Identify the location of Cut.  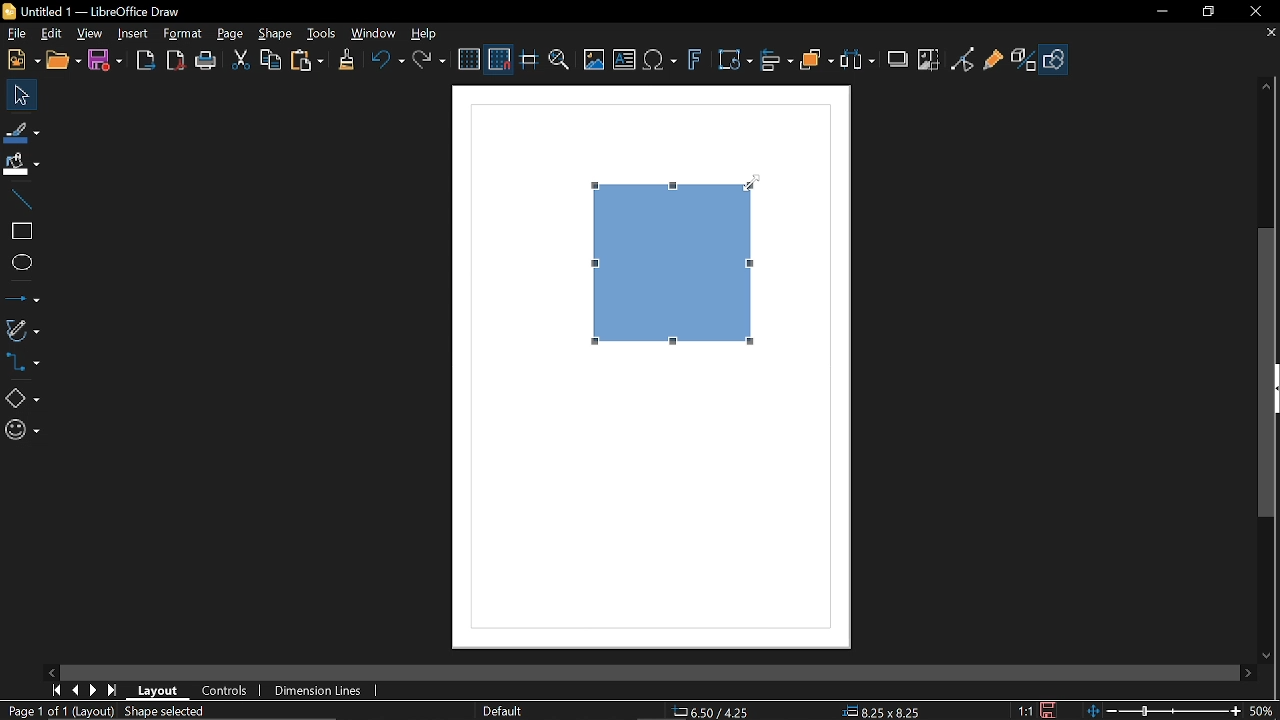
(240, 60).